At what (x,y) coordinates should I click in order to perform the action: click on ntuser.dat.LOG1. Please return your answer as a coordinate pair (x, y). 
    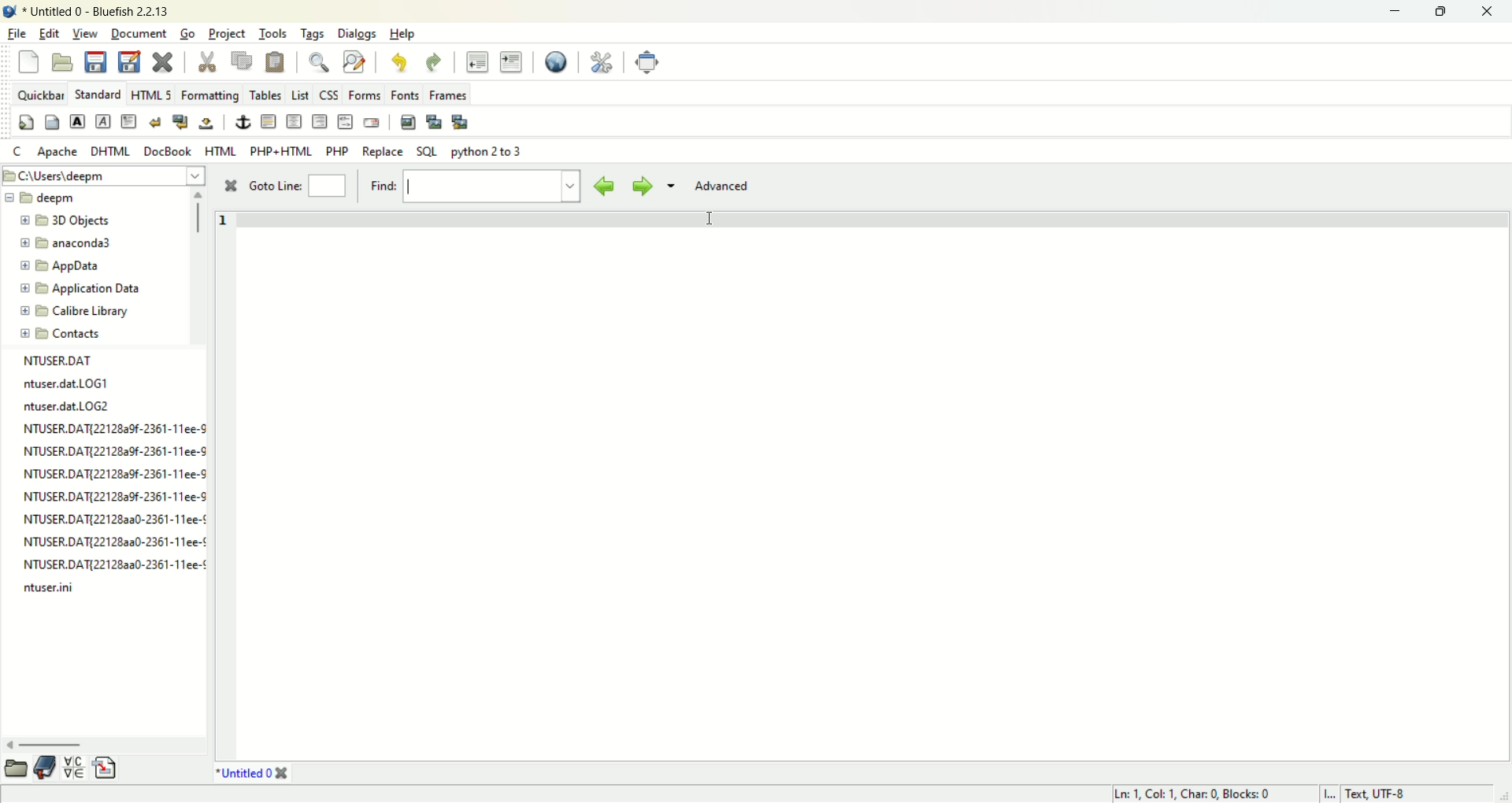
    Looking at the image, I should click on (71, 383).